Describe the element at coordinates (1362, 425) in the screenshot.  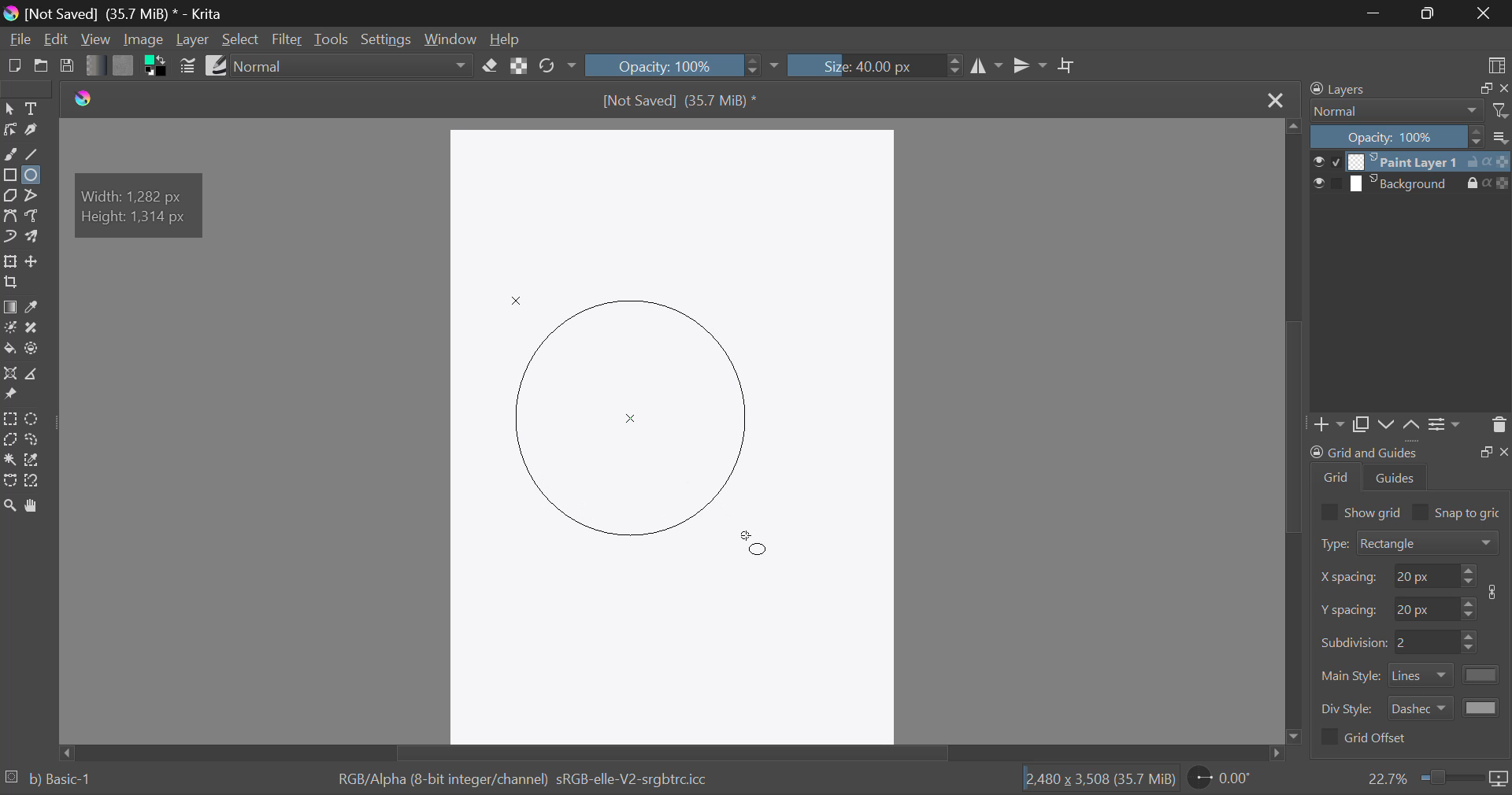
I see `Copy Layers` at that location.